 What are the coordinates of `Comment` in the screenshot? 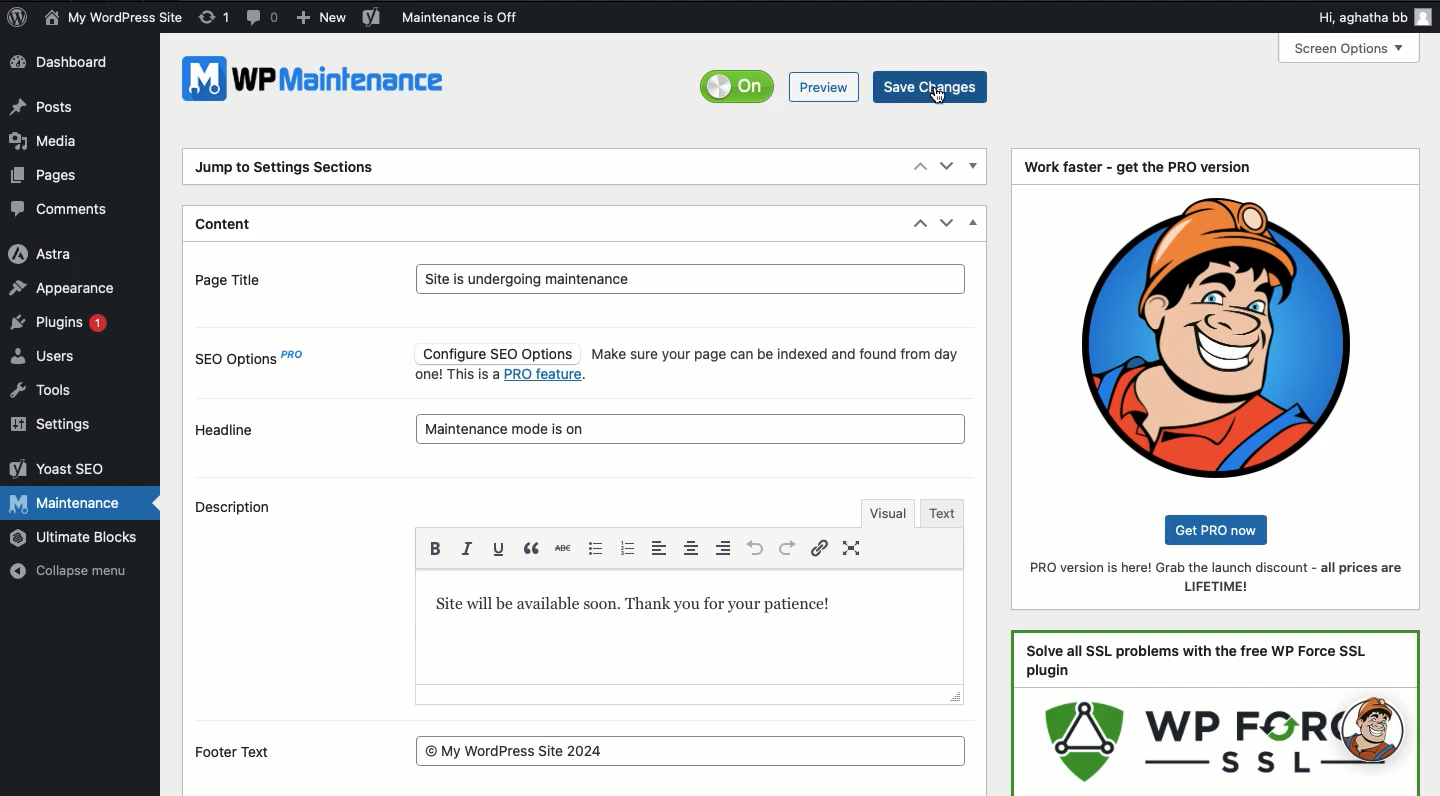 It's located at (262, 15).